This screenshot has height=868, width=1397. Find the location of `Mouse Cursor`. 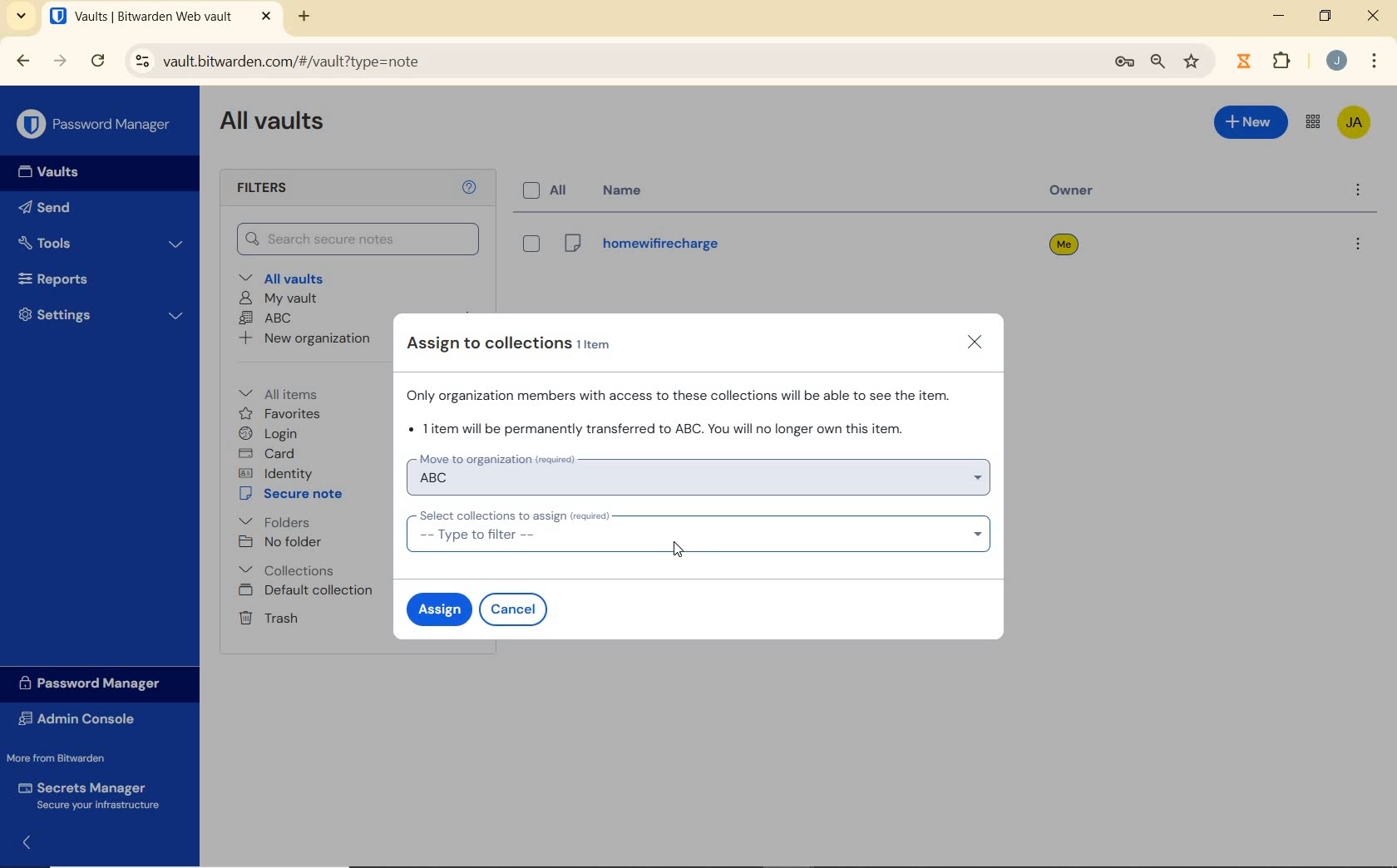

Mouse Cursor is located at coordinates (677, 549).